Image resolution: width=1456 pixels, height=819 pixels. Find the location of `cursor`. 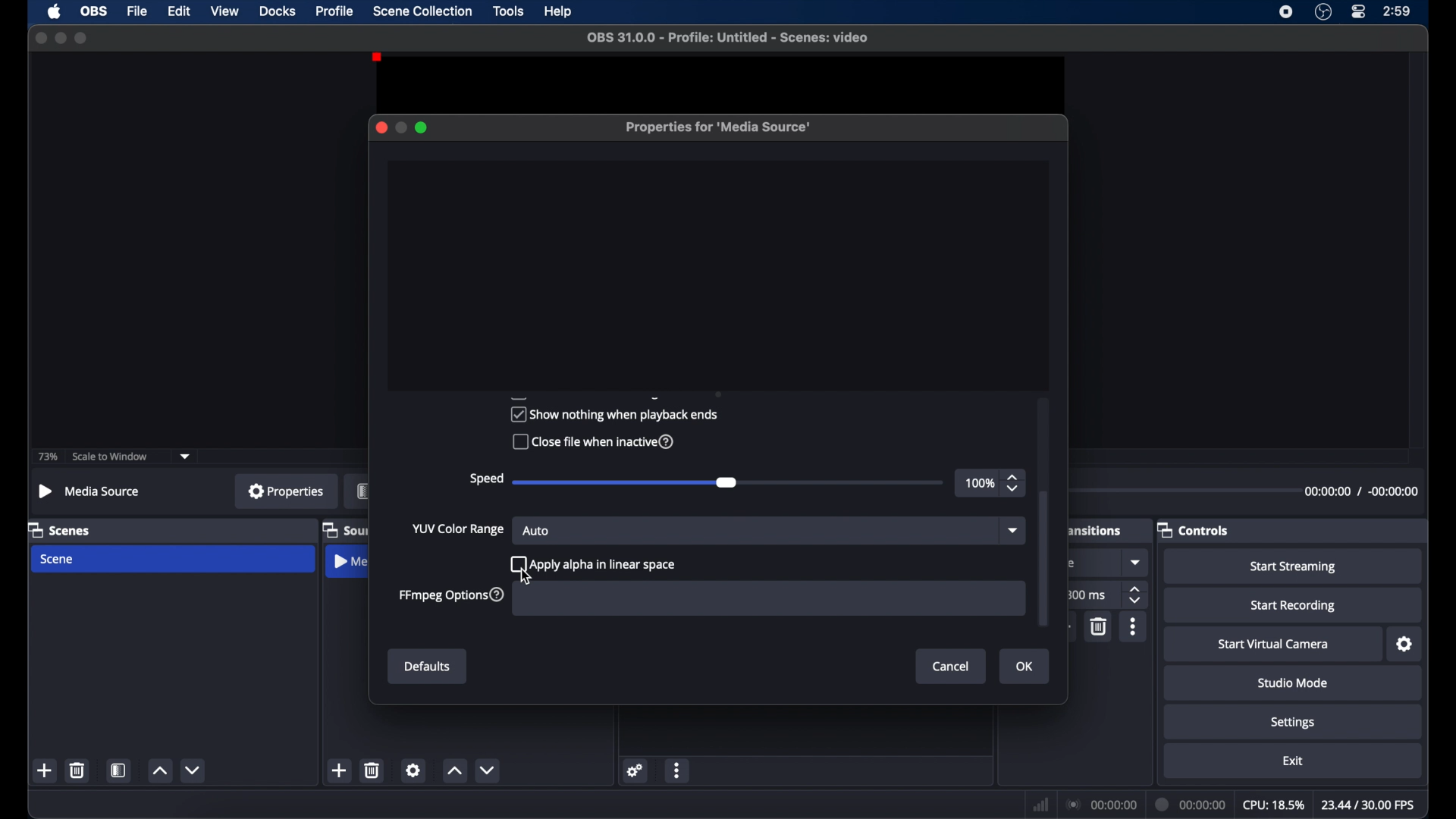

cursor is located at coordinates (527, 576).